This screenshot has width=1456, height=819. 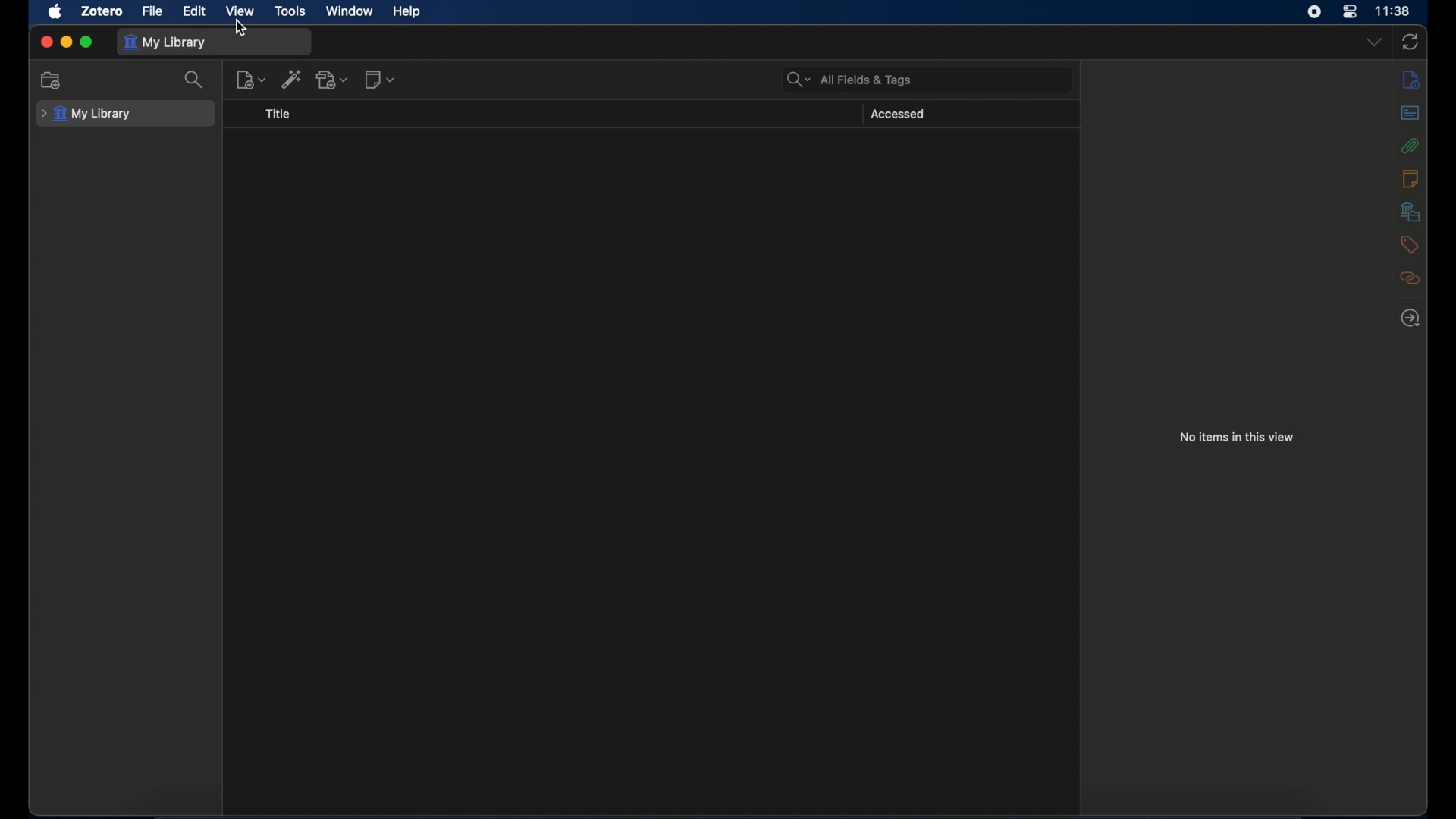 What do you see at coordinates (897, 115) in the screenshot?
I see `accessed` at bounding box center [897, 115].